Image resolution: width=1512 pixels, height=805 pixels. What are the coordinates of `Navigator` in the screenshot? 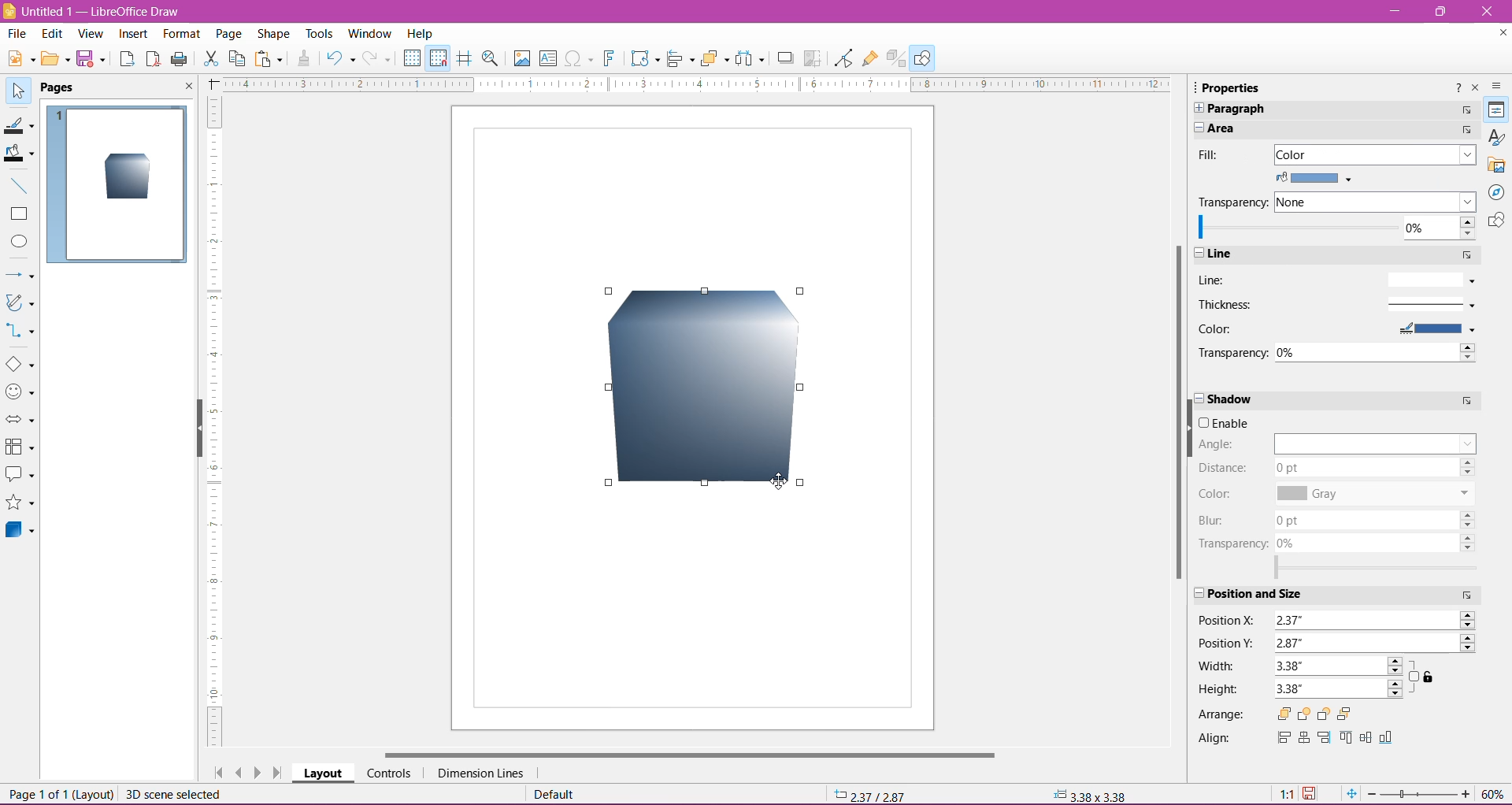 It's located at (1495, 192).